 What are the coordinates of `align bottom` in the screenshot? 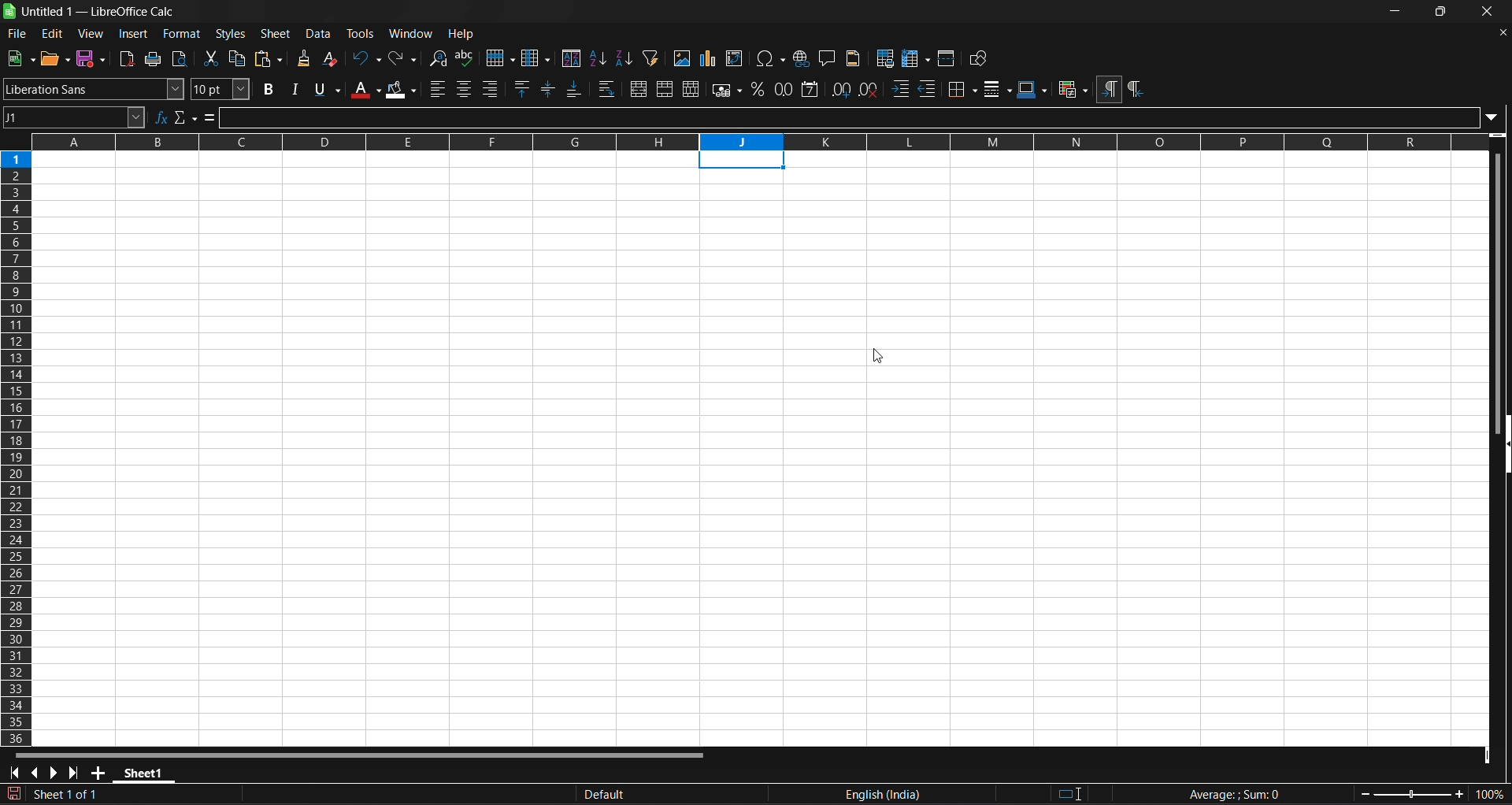 It's located at (576, 88).